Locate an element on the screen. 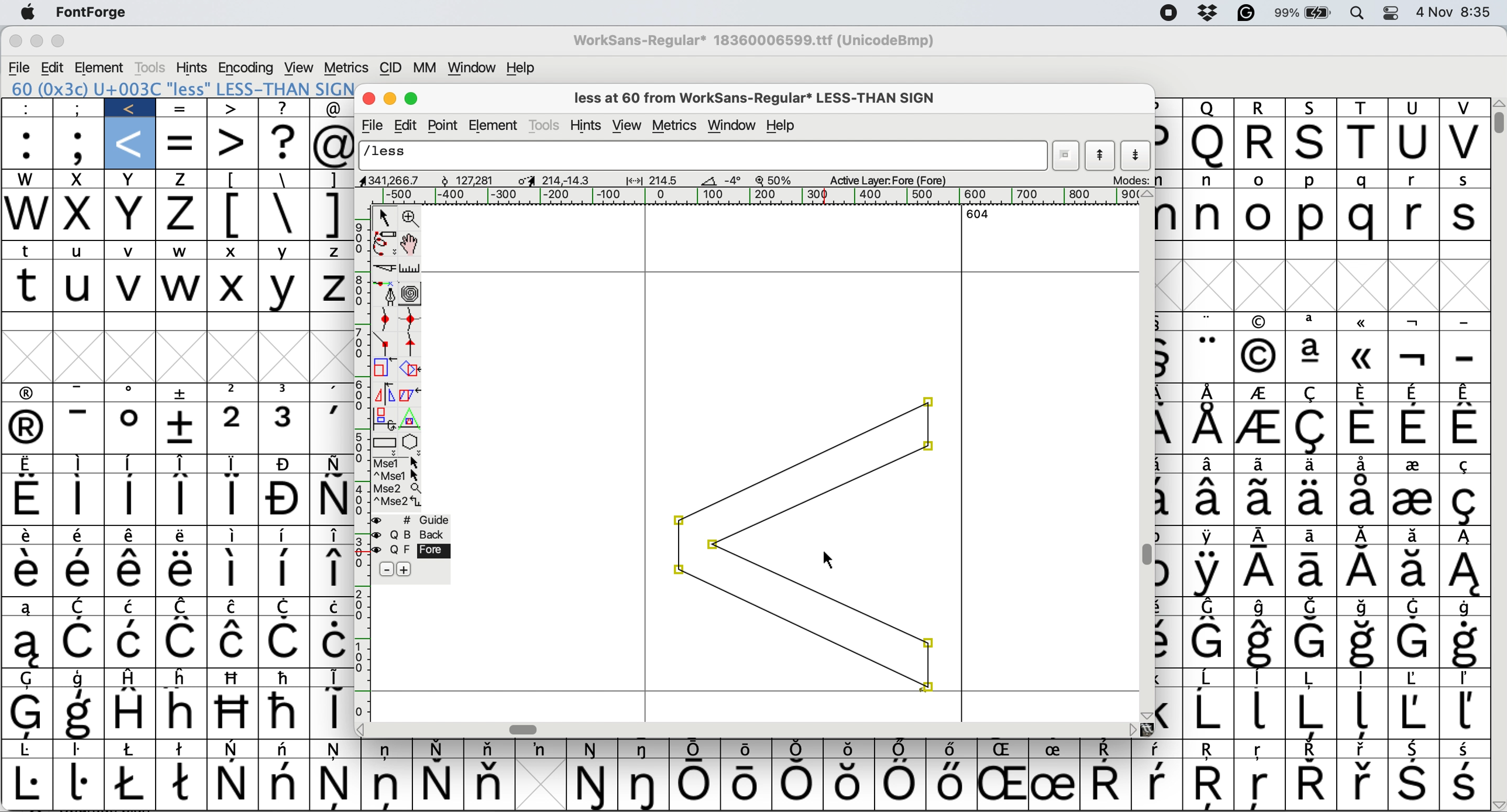 The width and height of the screenshot is (1507, 812). Symbol is located at coordinates (1363, 321).